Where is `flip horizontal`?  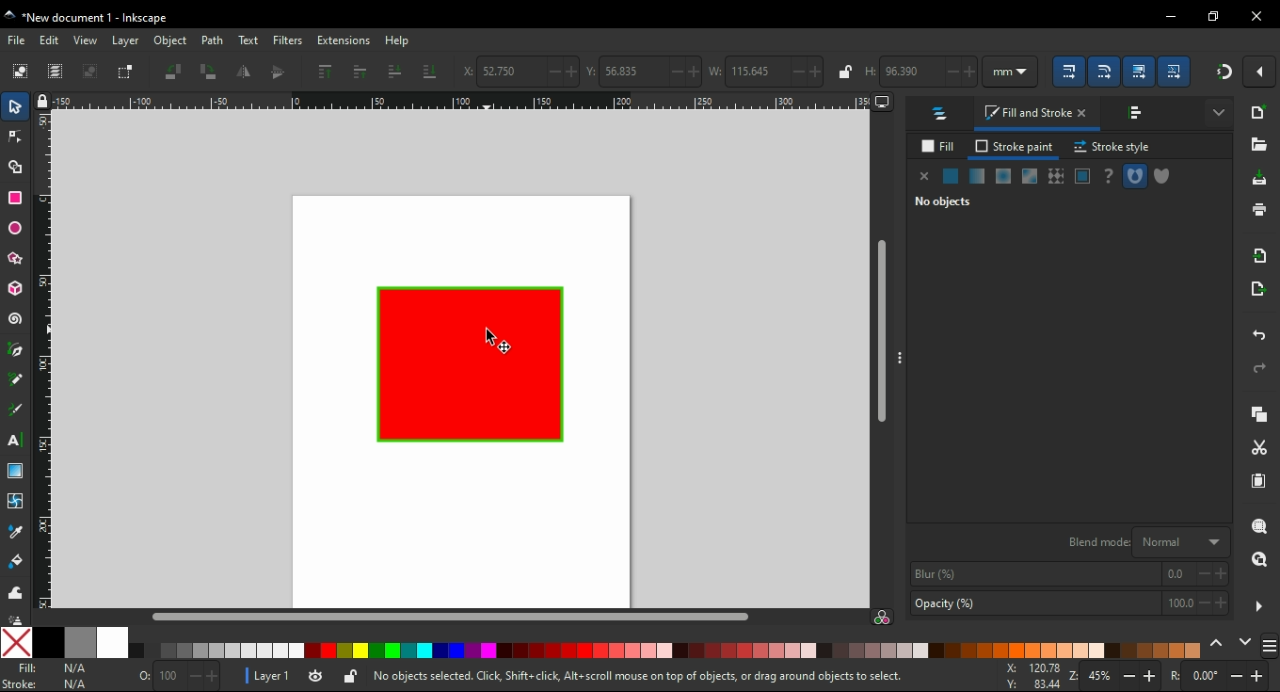
flip horizontal is located at coordinates (246, 71).